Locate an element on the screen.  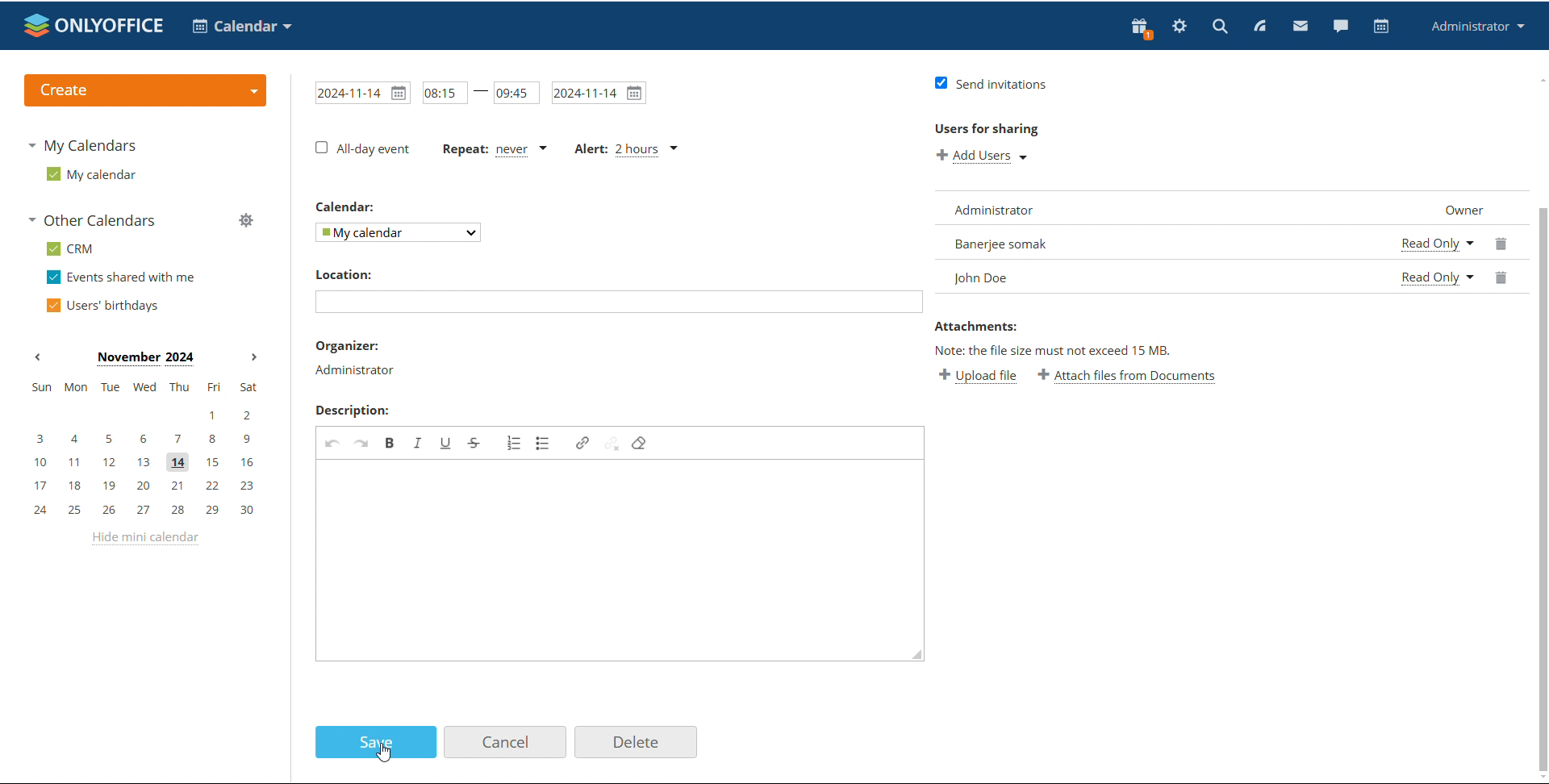
upload file is located at coordinates (975, 377).